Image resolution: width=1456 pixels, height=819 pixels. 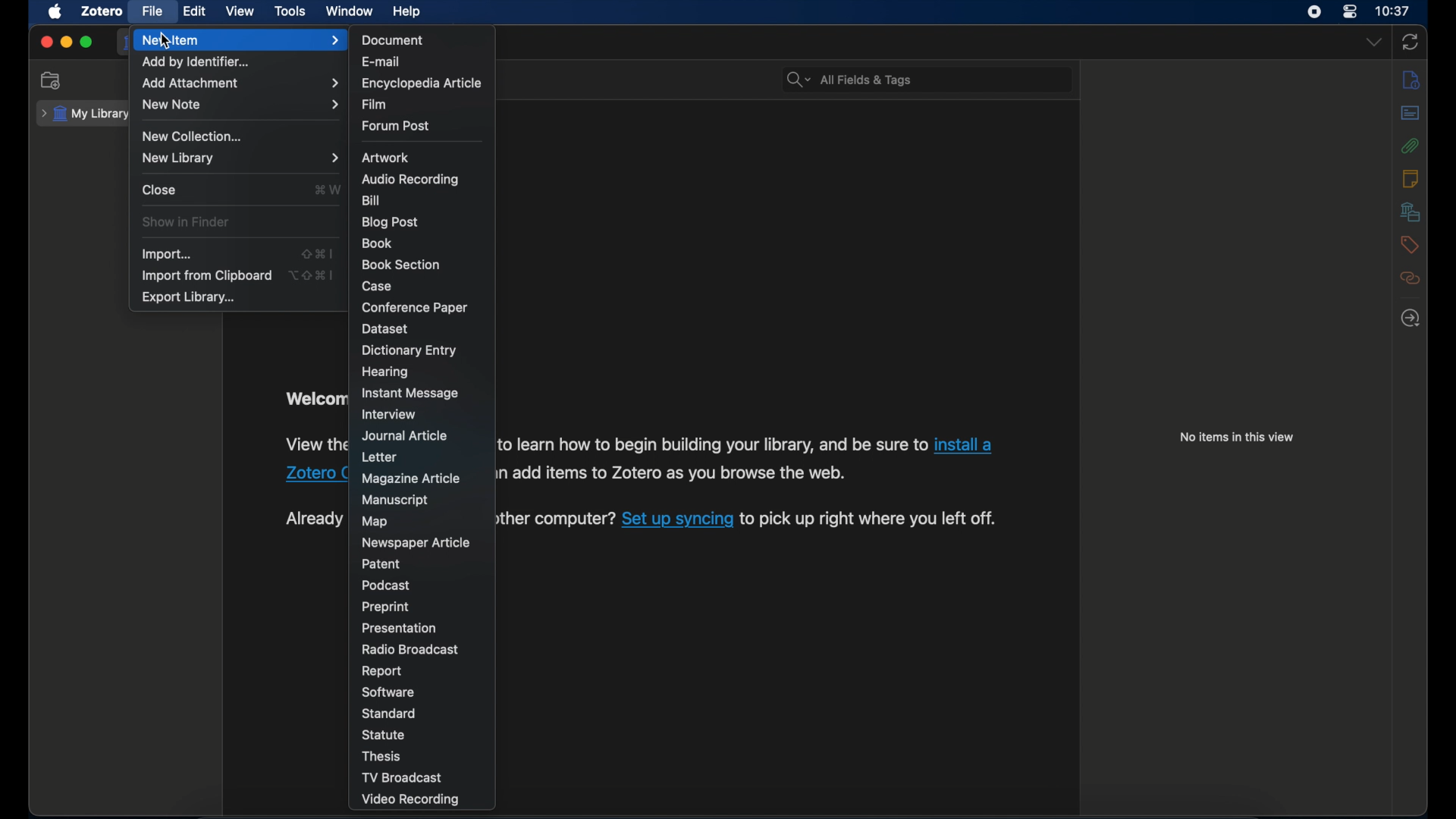 What do you see at coordinates (188, 297) in the screenshot?
I see `export library` at bounding box center [188, 297].